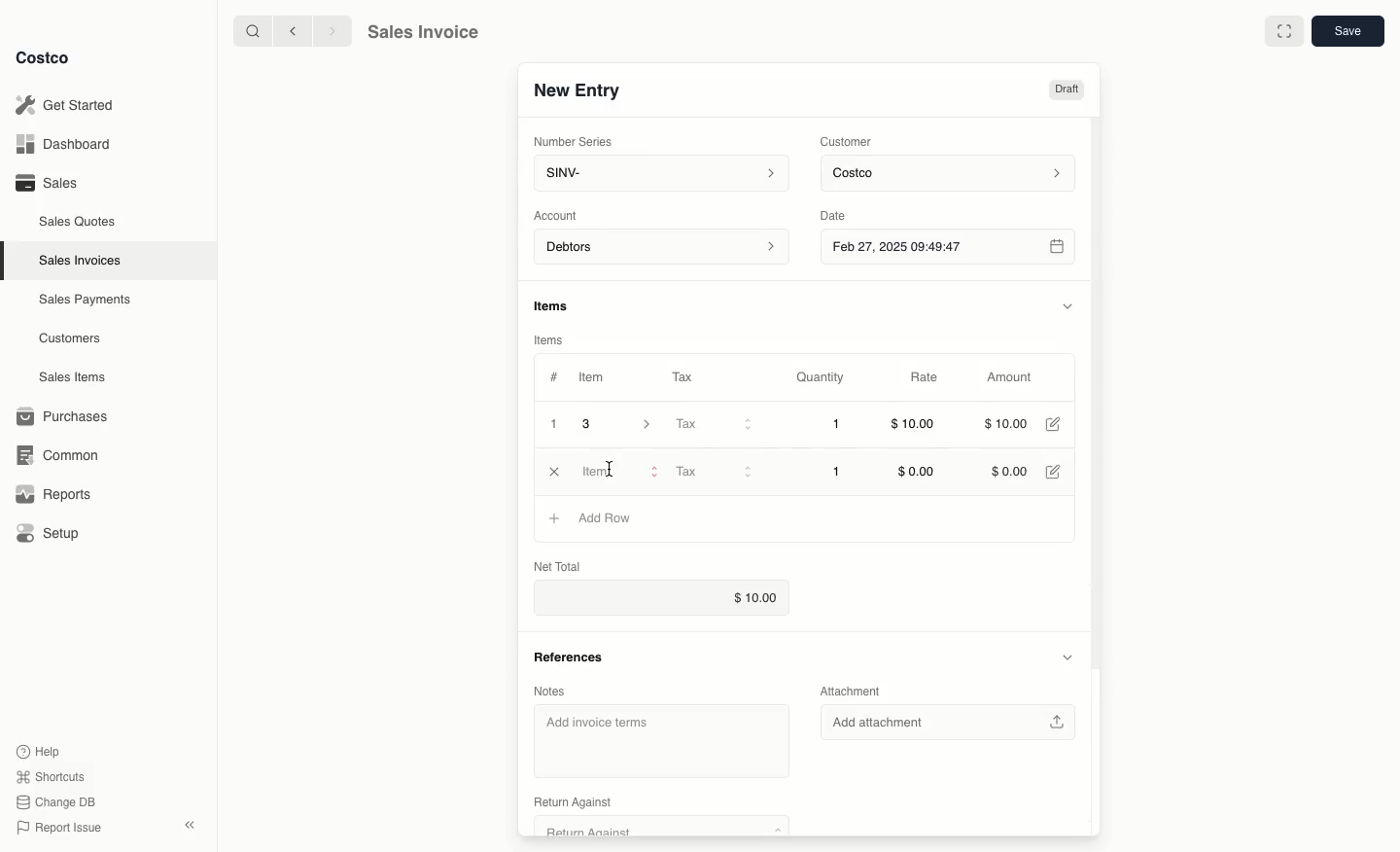 The width and height of the screenshot is (1400, 852). What do you see at coordinates (552, 340) in the screenshot?
I see `Items` at bounding box center [552, 340].